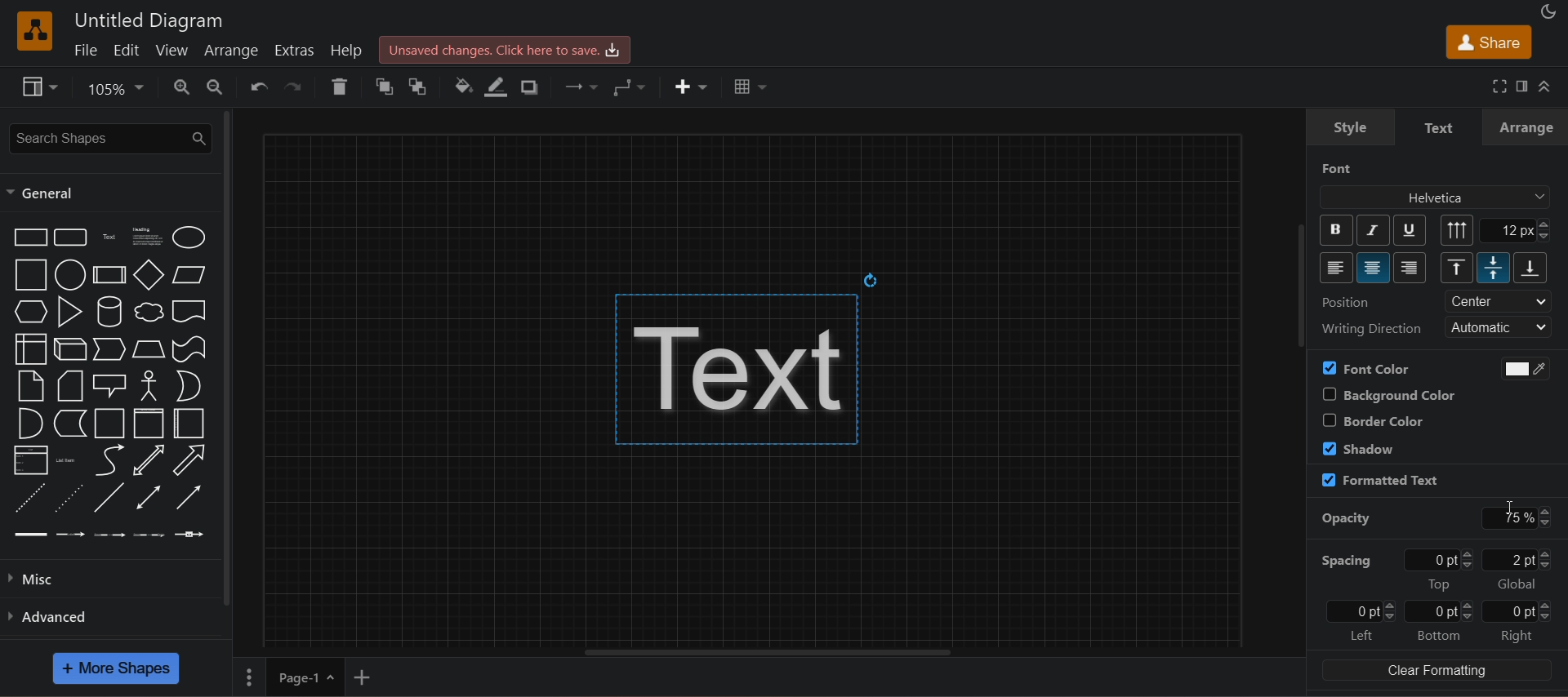 The width and height of the screenshot is (1568, 697). Describe the element at coordinates (1457, 267) in the screenshot. I see `top` at that location.